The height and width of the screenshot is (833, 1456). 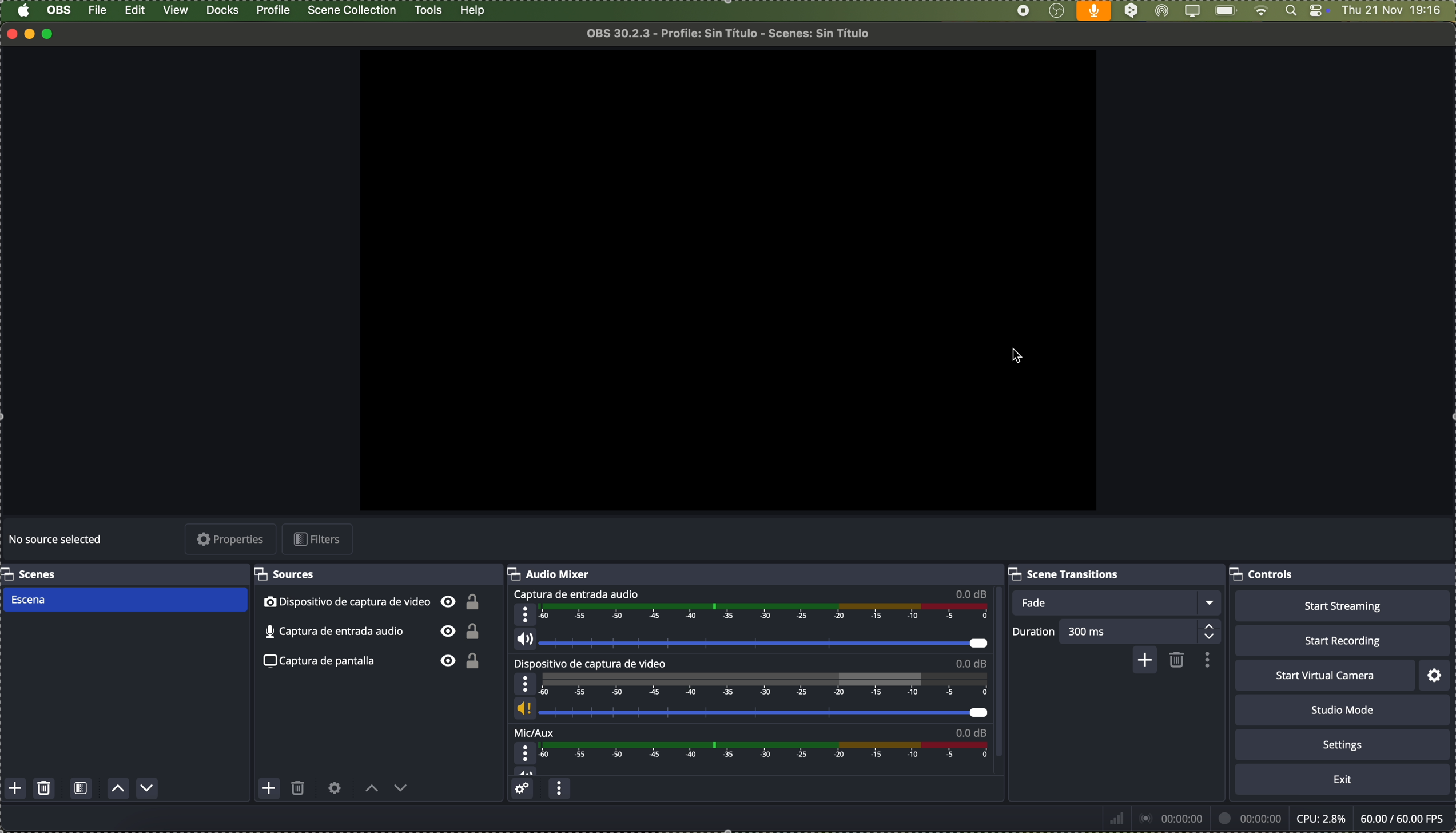 I want to click on minimize program, so click(x=30, y=33).